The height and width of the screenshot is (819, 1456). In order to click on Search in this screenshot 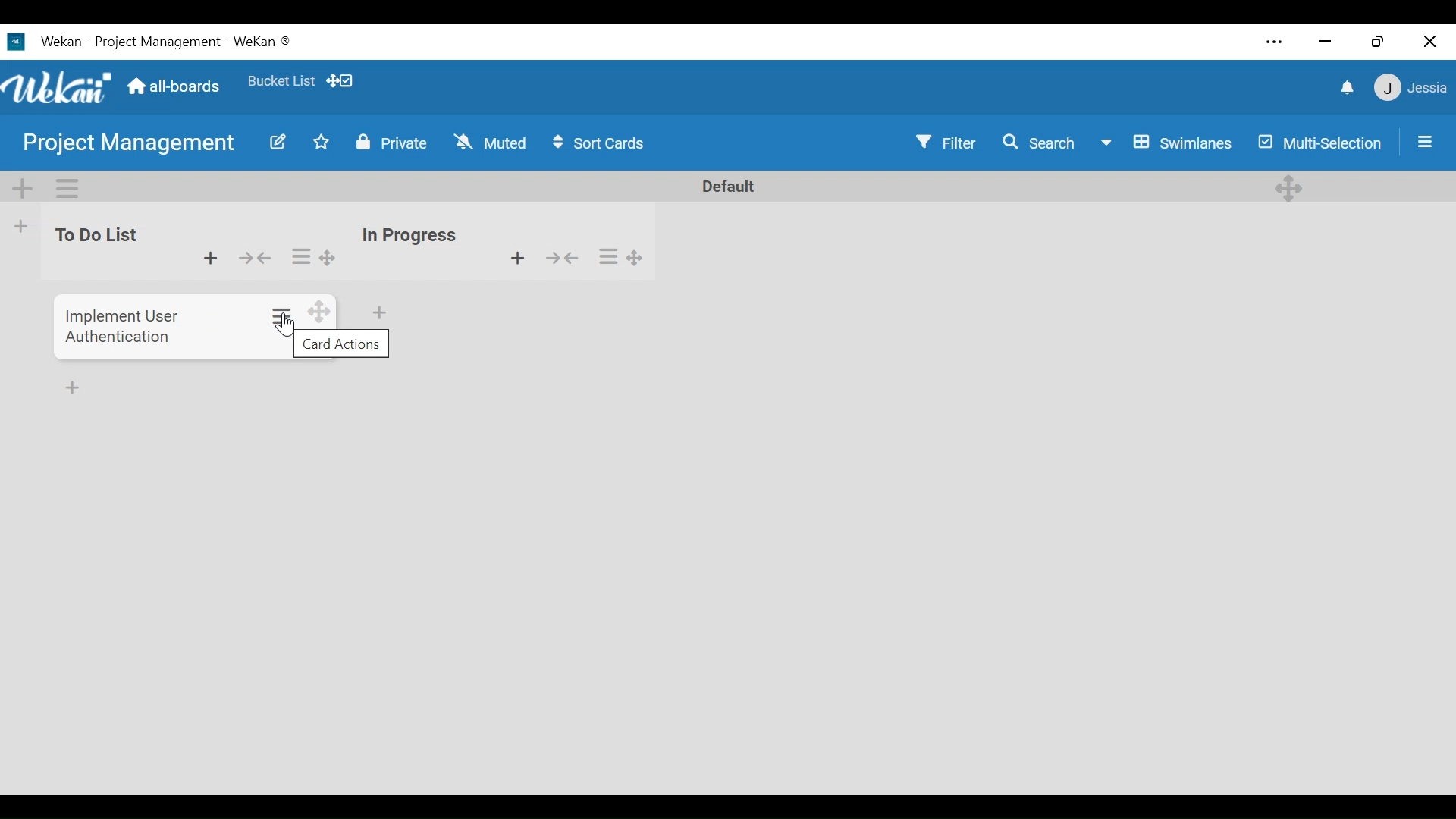, I will do `click(1043, 142)`.